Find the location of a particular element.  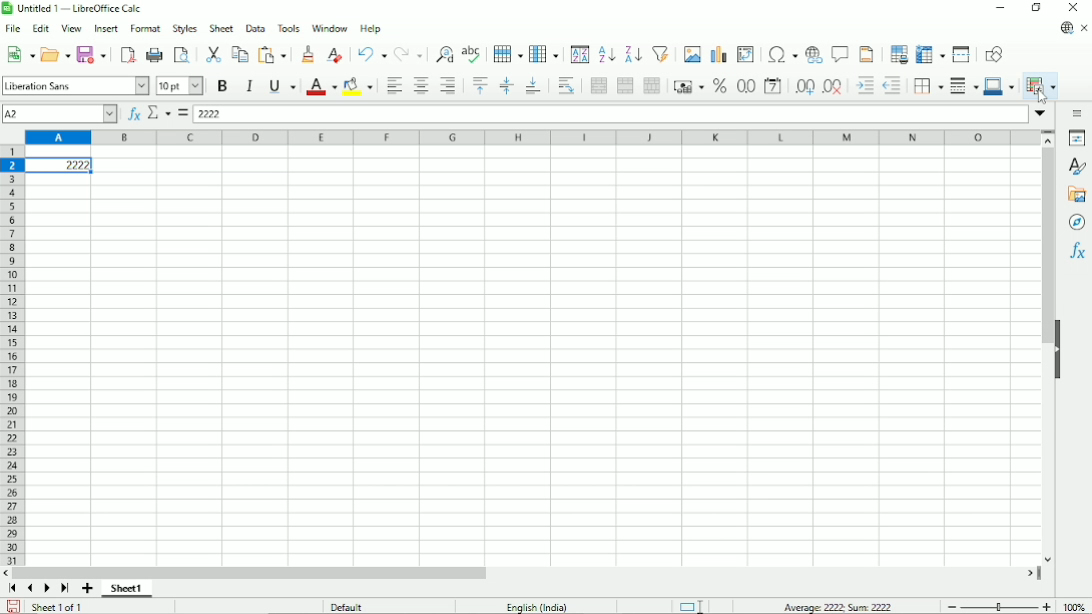

Underline is located at coordinates (282, 87).